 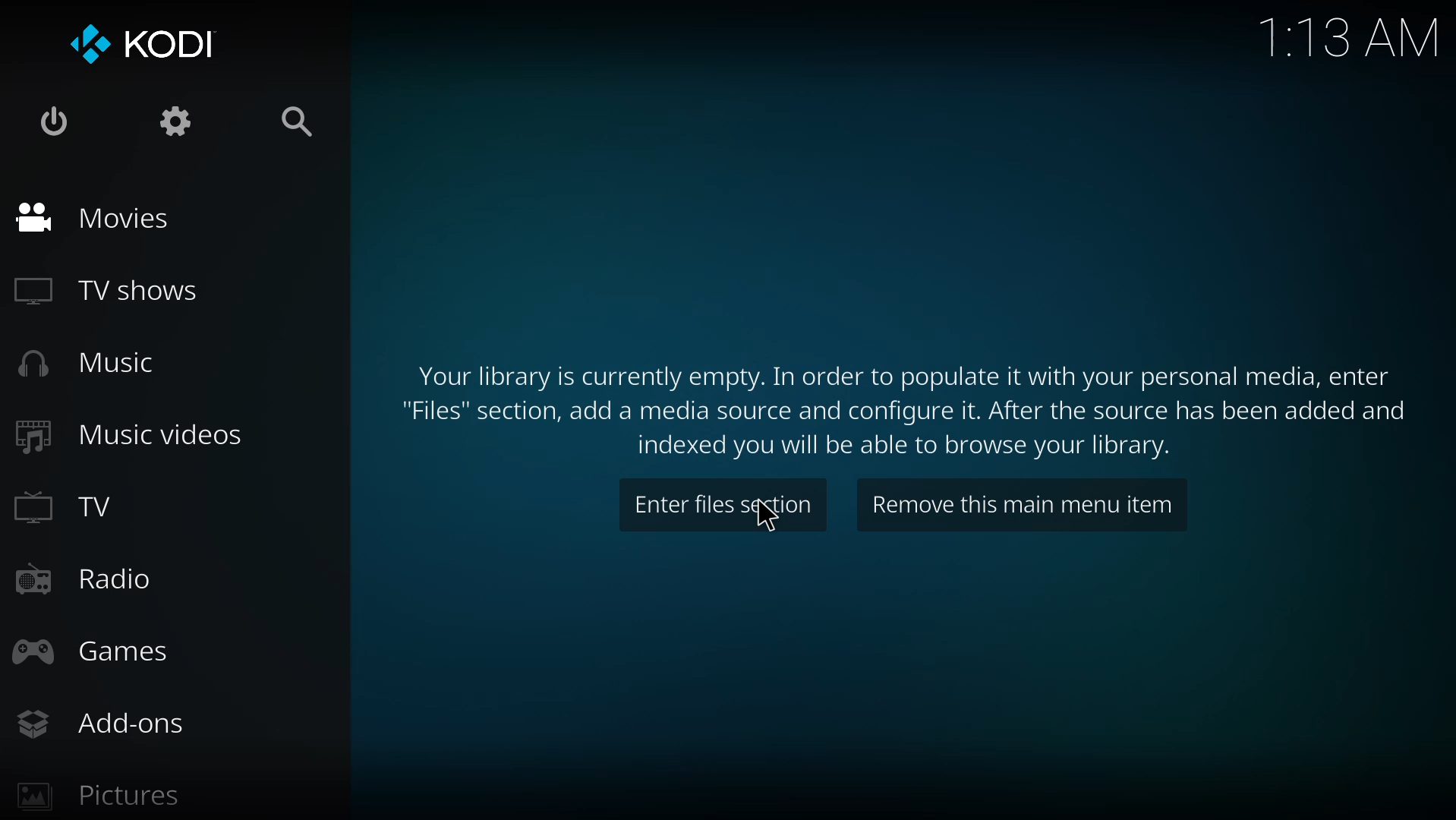 What do you see at coordinates (145, 45) in the screenshot?
I see `kodi` at bounding box center [145, 45].